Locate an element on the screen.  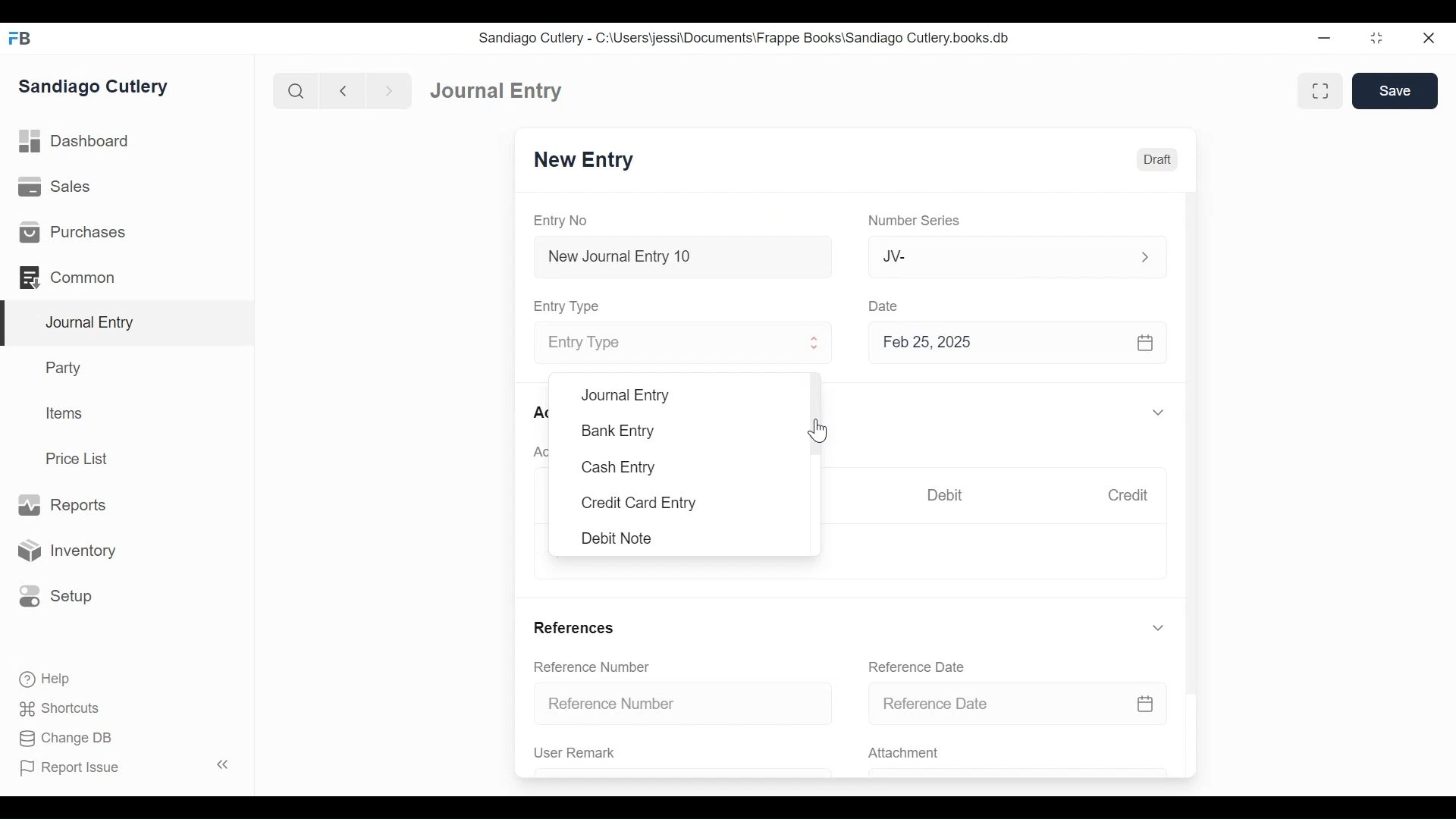
Report Issue is located at coordinates (124, 767).